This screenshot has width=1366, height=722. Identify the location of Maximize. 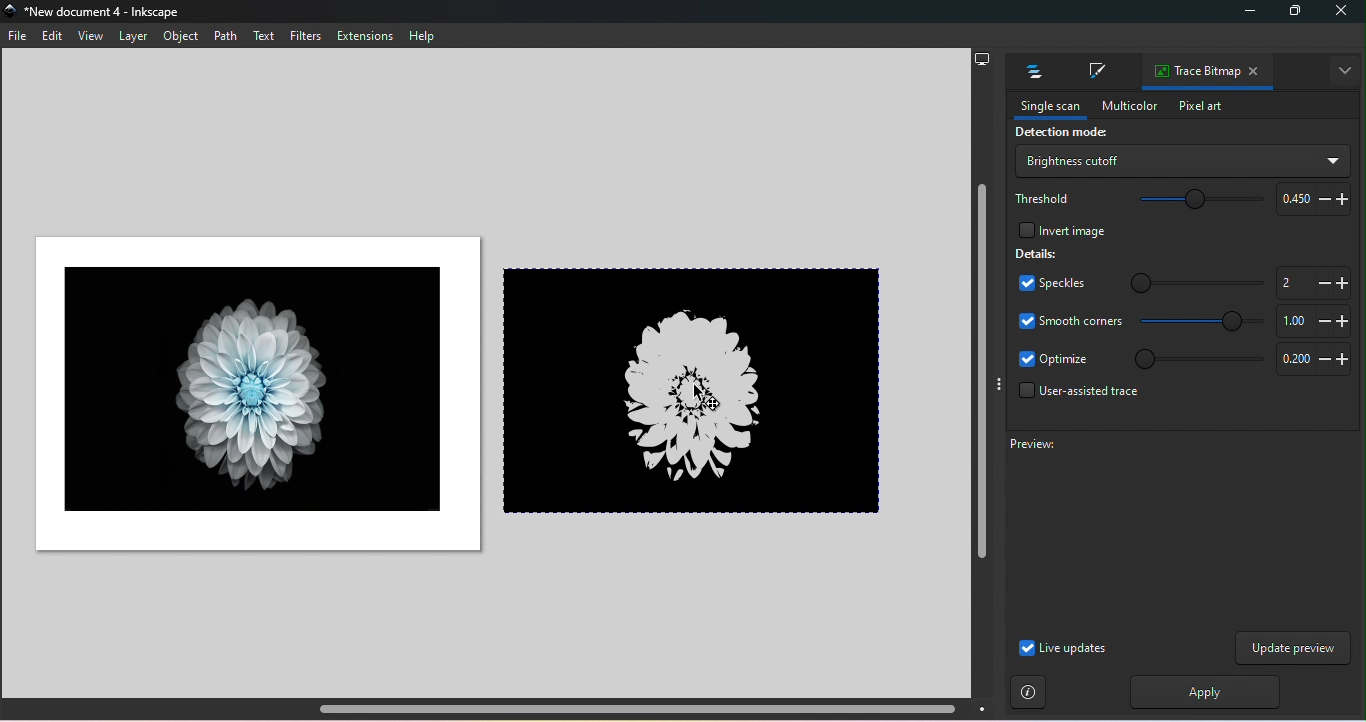
(1292, 14).